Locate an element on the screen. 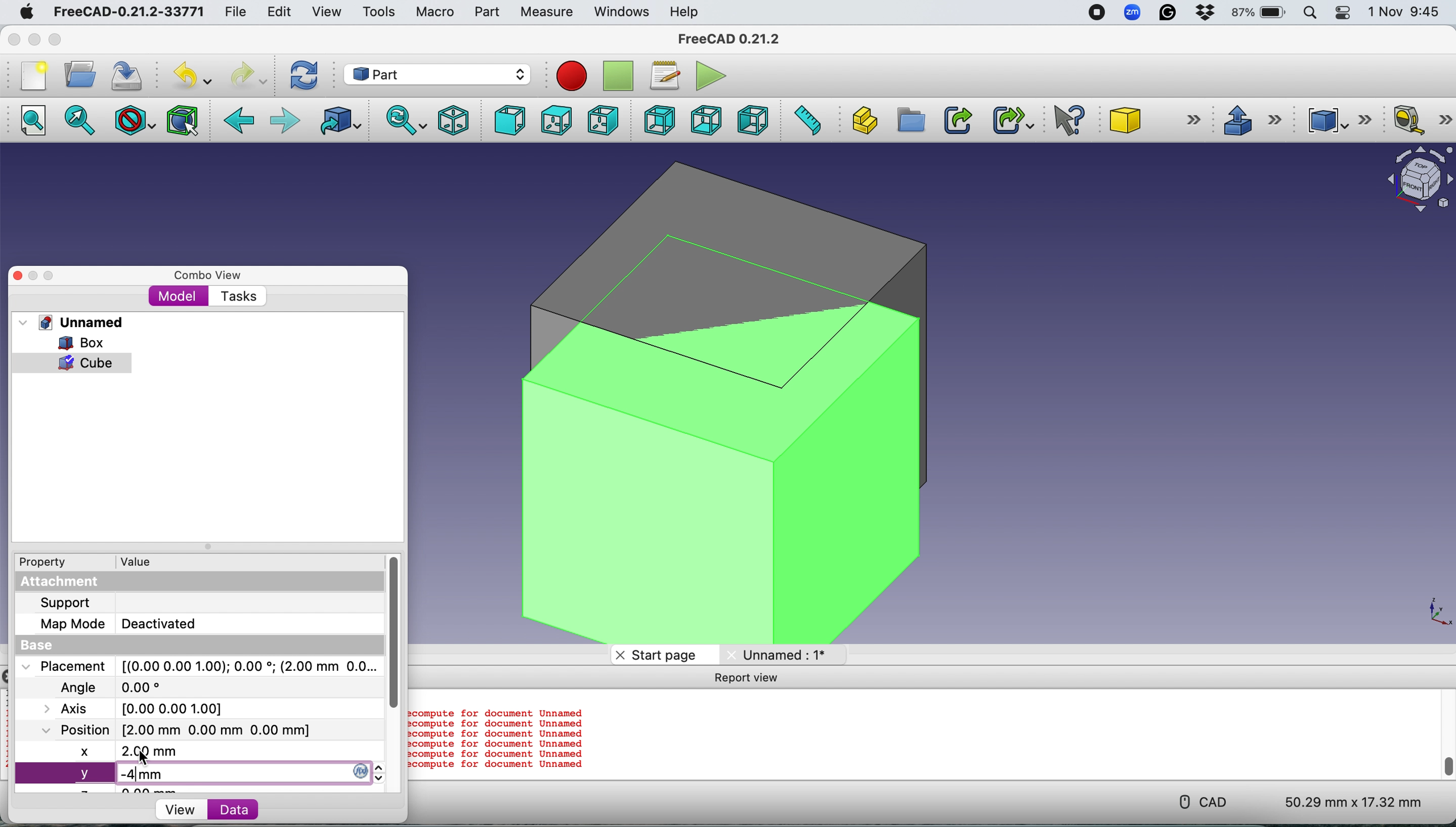 Image resolution: width=1456 pixels, height=827 pixels. Draw style is located at coordinates (136, 120).